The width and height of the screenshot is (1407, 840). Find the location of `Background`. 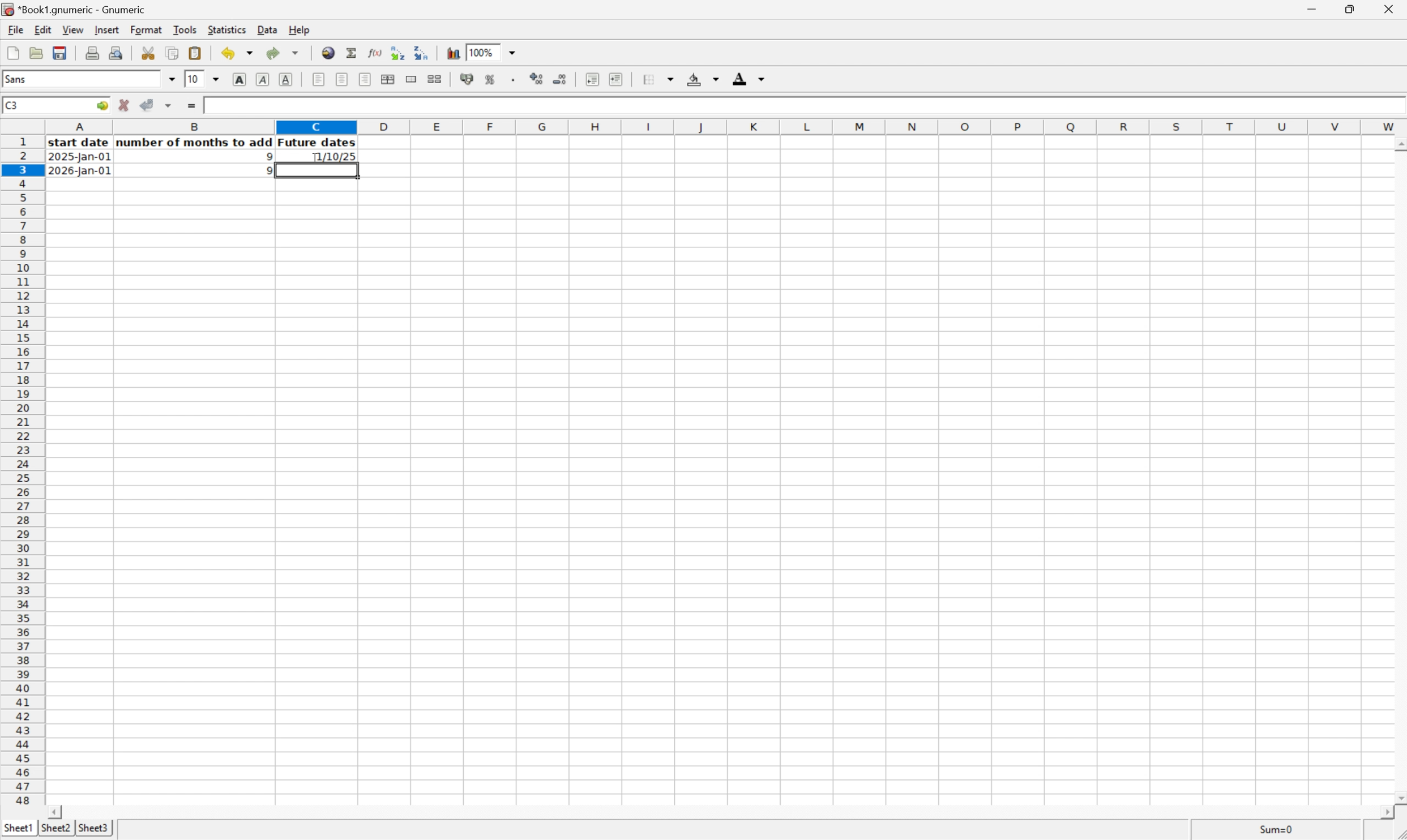

Background is located at coordinates (703, 79).